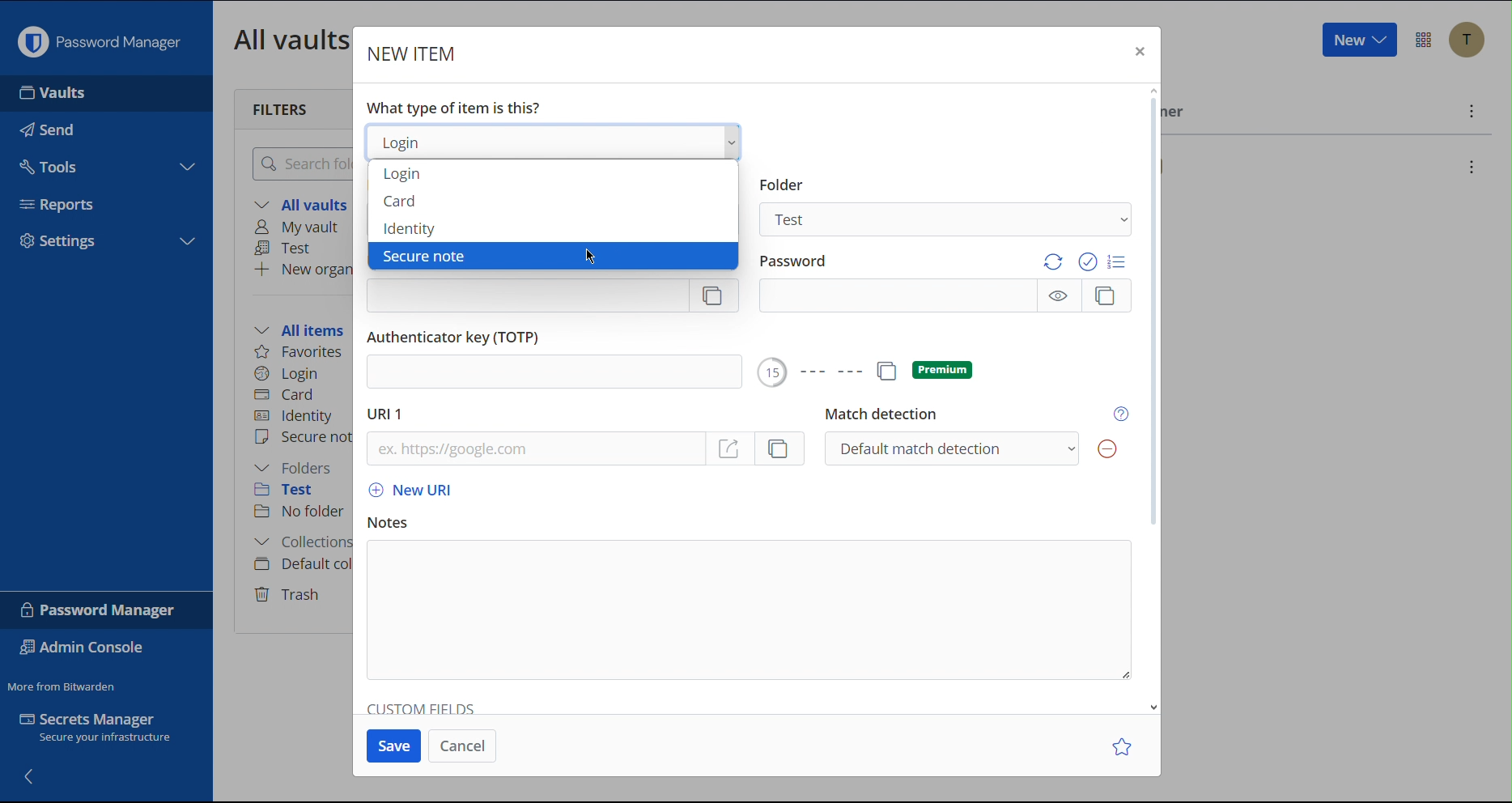 This screenshot has width=1512, height=803. I want to click on Password Manager, so click(99, 38).